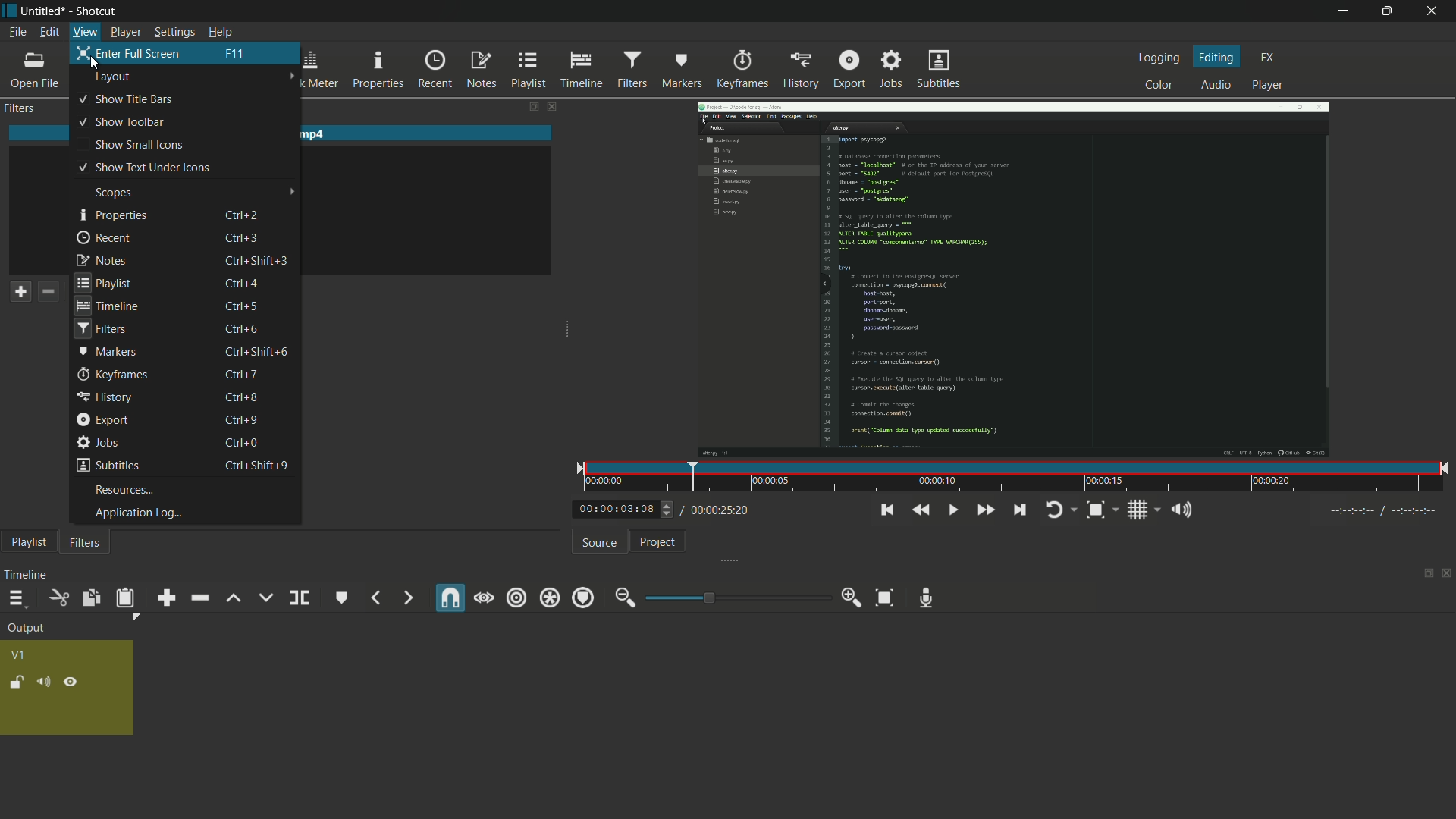 The height and width of the screenshot is (819, 1456). What do you see at coordinates (1447, 573) in the screenshot?
I see `close timeline pane` at bounding box center [1447, 573].